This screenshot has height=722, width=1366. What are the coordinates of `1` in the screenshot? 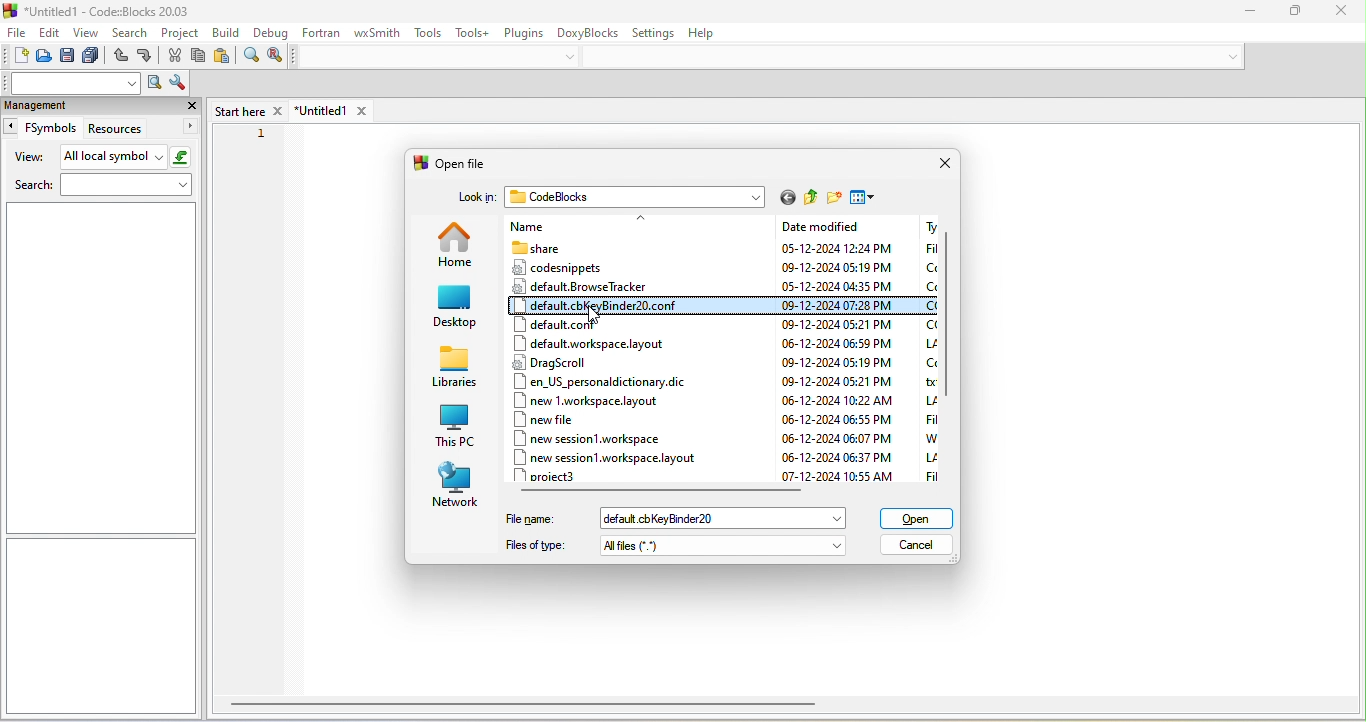 It's located at (264, 134).